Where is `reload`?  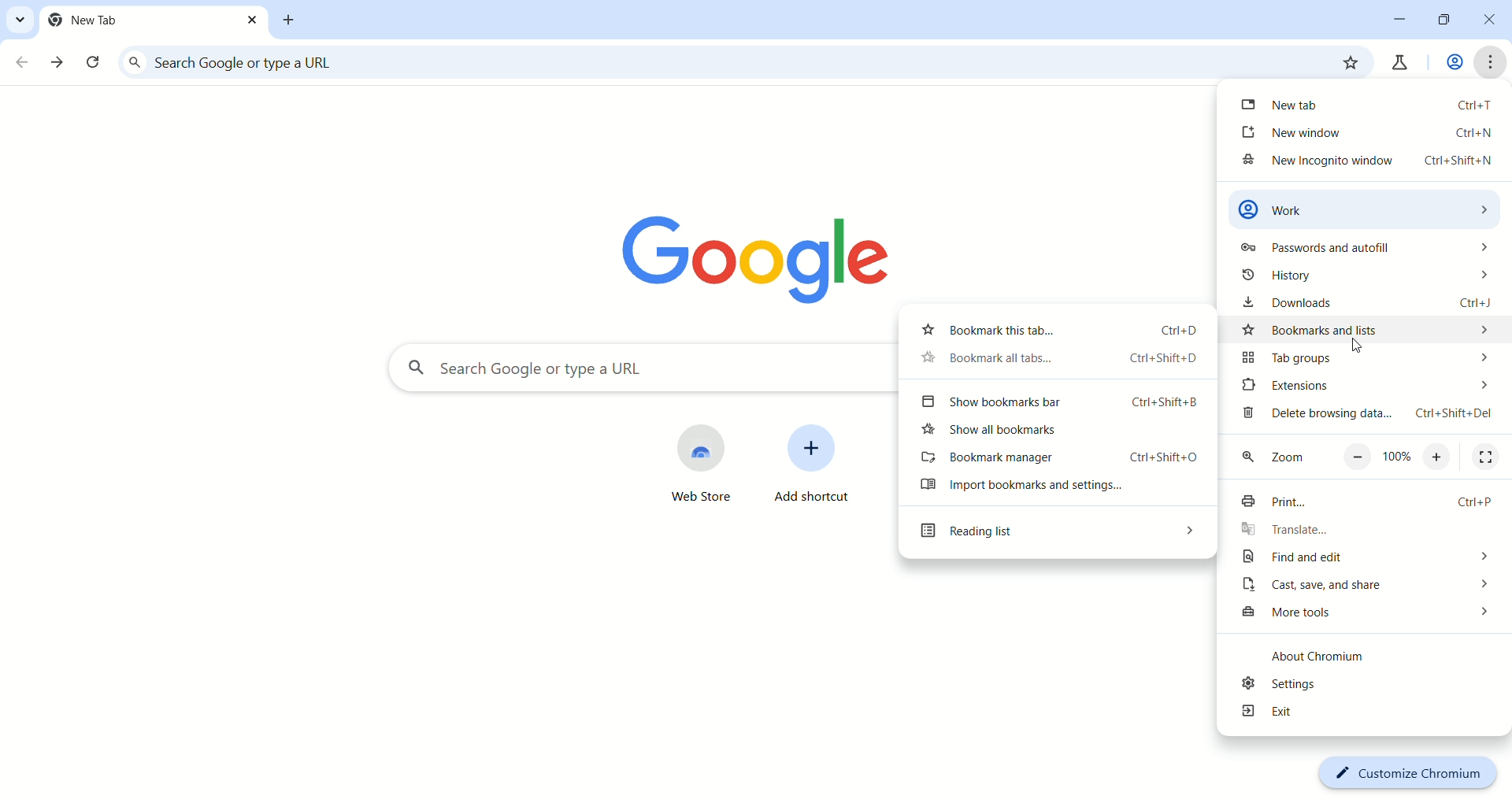 reload is located at coordinates (95, 65).